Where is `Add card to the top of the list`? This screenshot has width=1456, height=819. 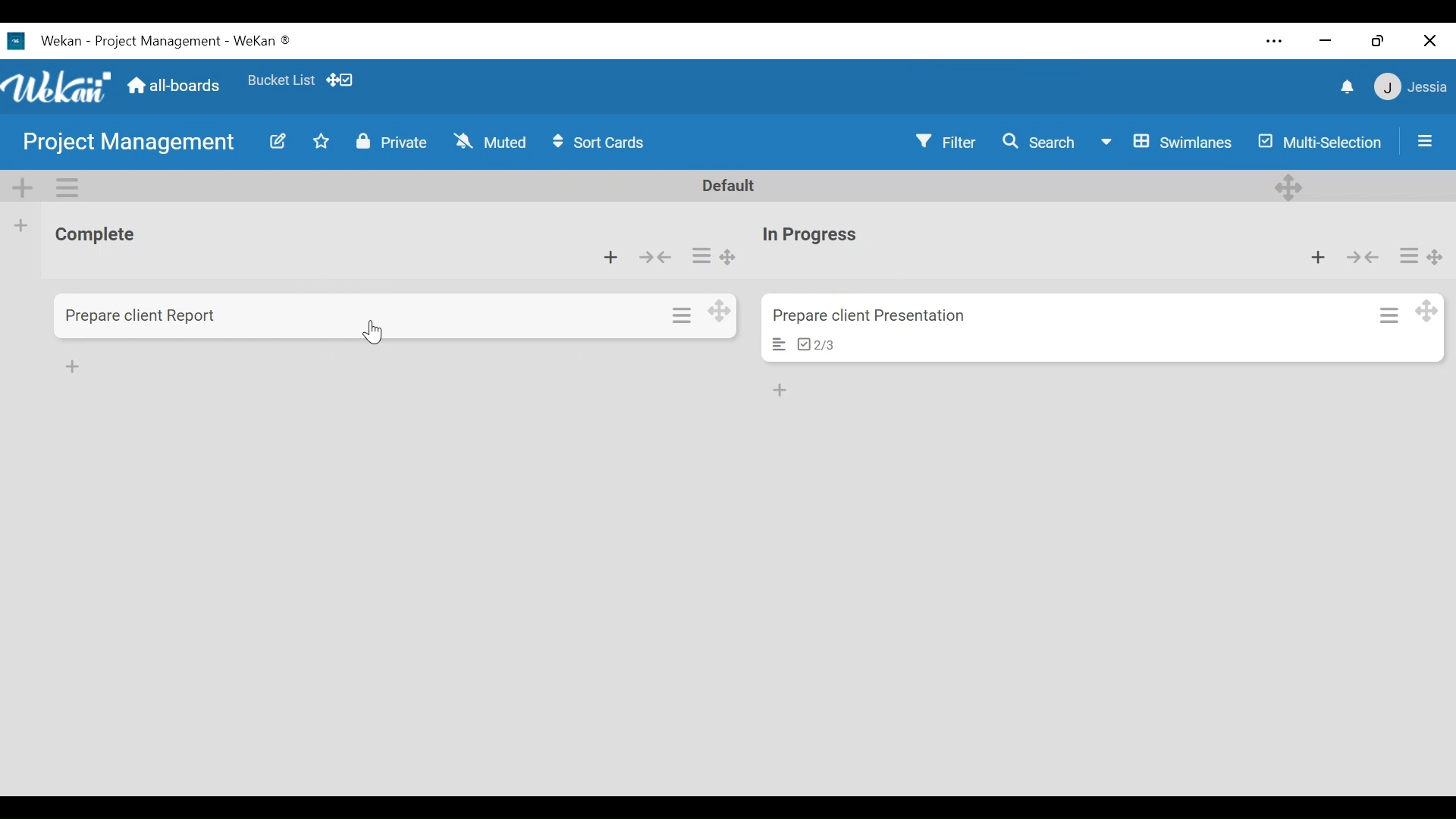 Add card to the top of the list is located at coordinates (612, 258).